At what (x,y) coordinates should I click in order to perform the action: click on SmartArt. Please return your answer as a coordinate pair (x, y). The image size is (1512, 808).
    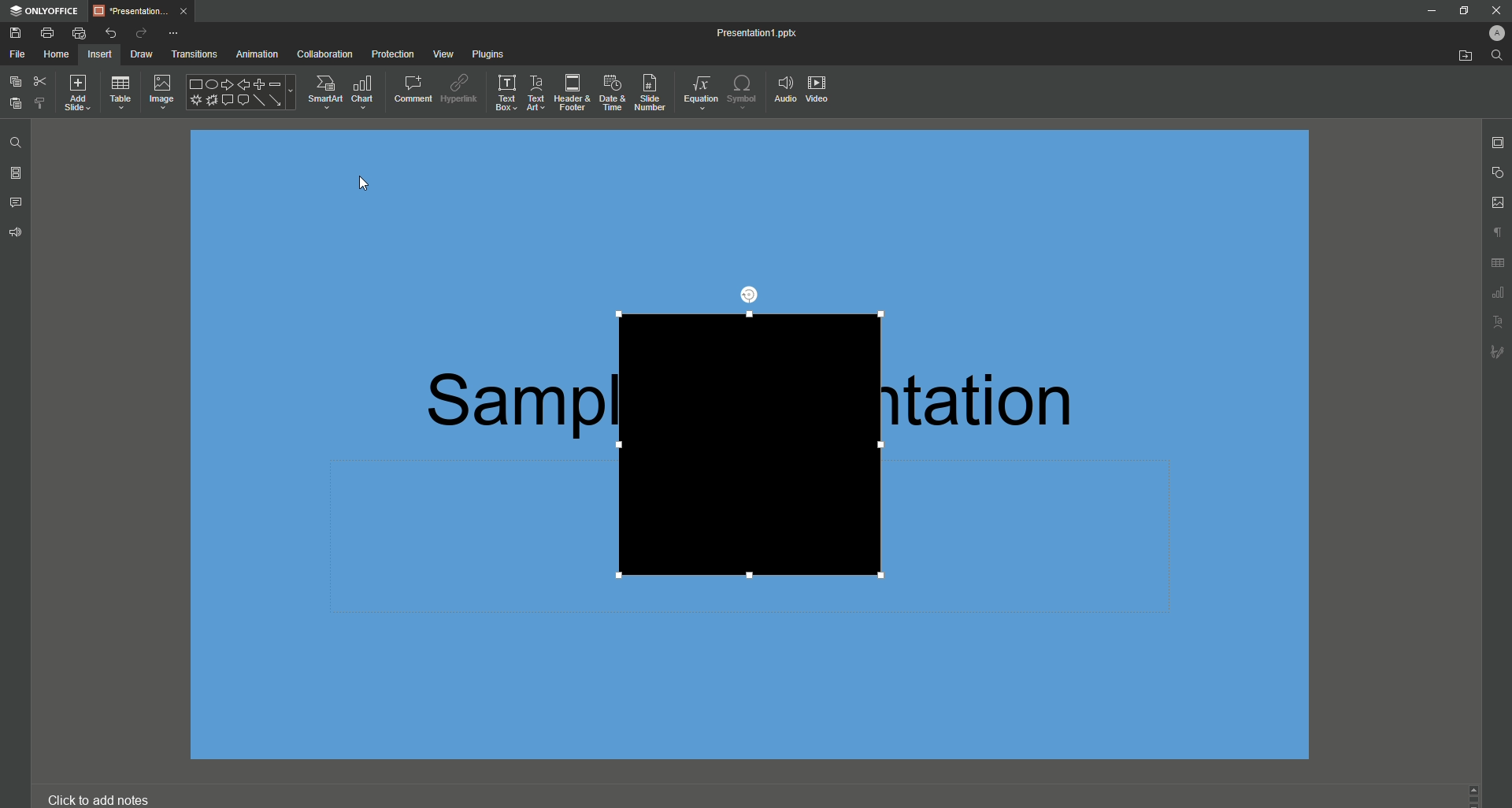
    Looking at the image, I should click on (321, 91).